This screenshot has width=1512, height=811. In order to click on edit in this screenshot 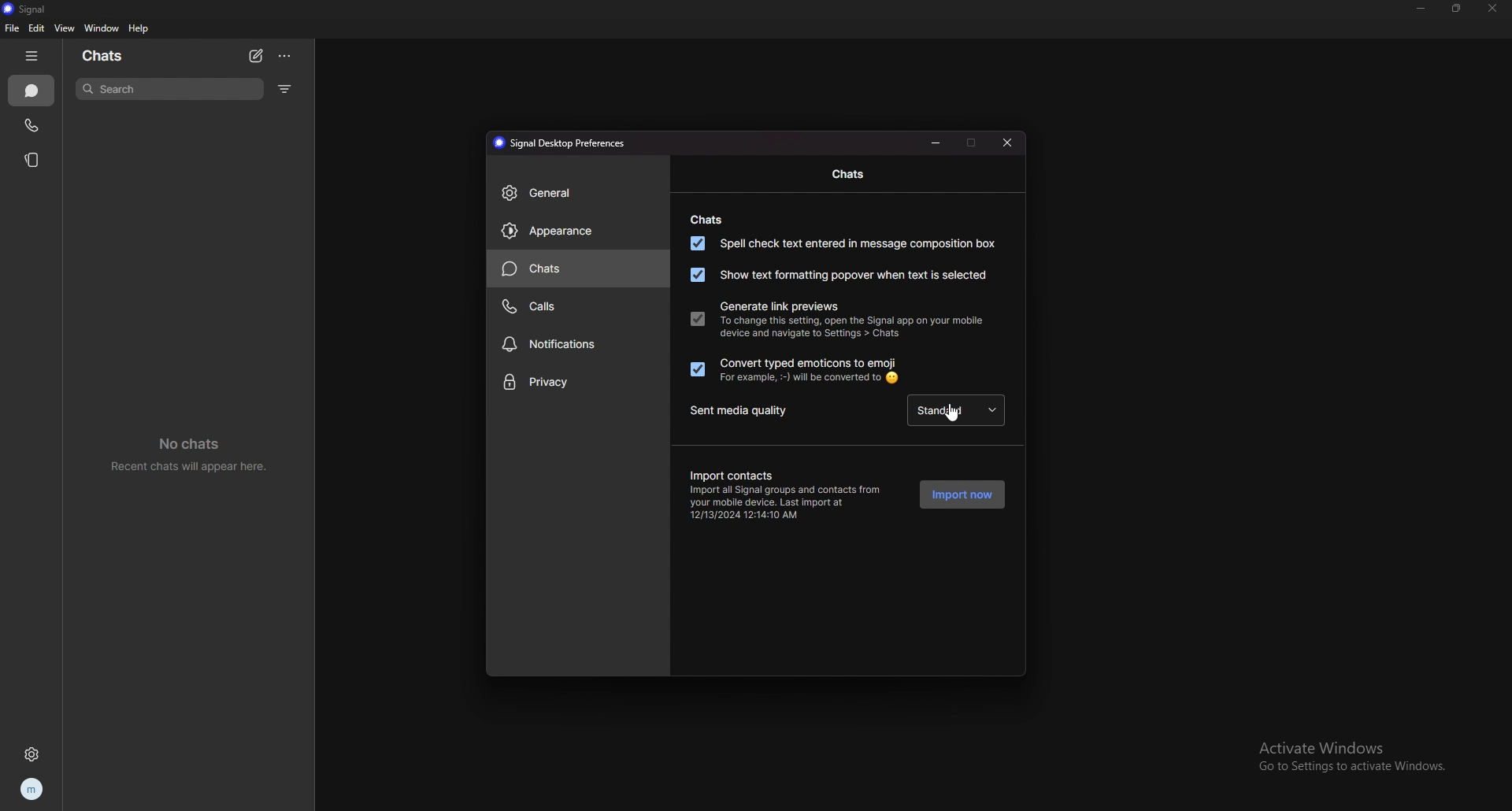, I will do `click(38, 28)`.